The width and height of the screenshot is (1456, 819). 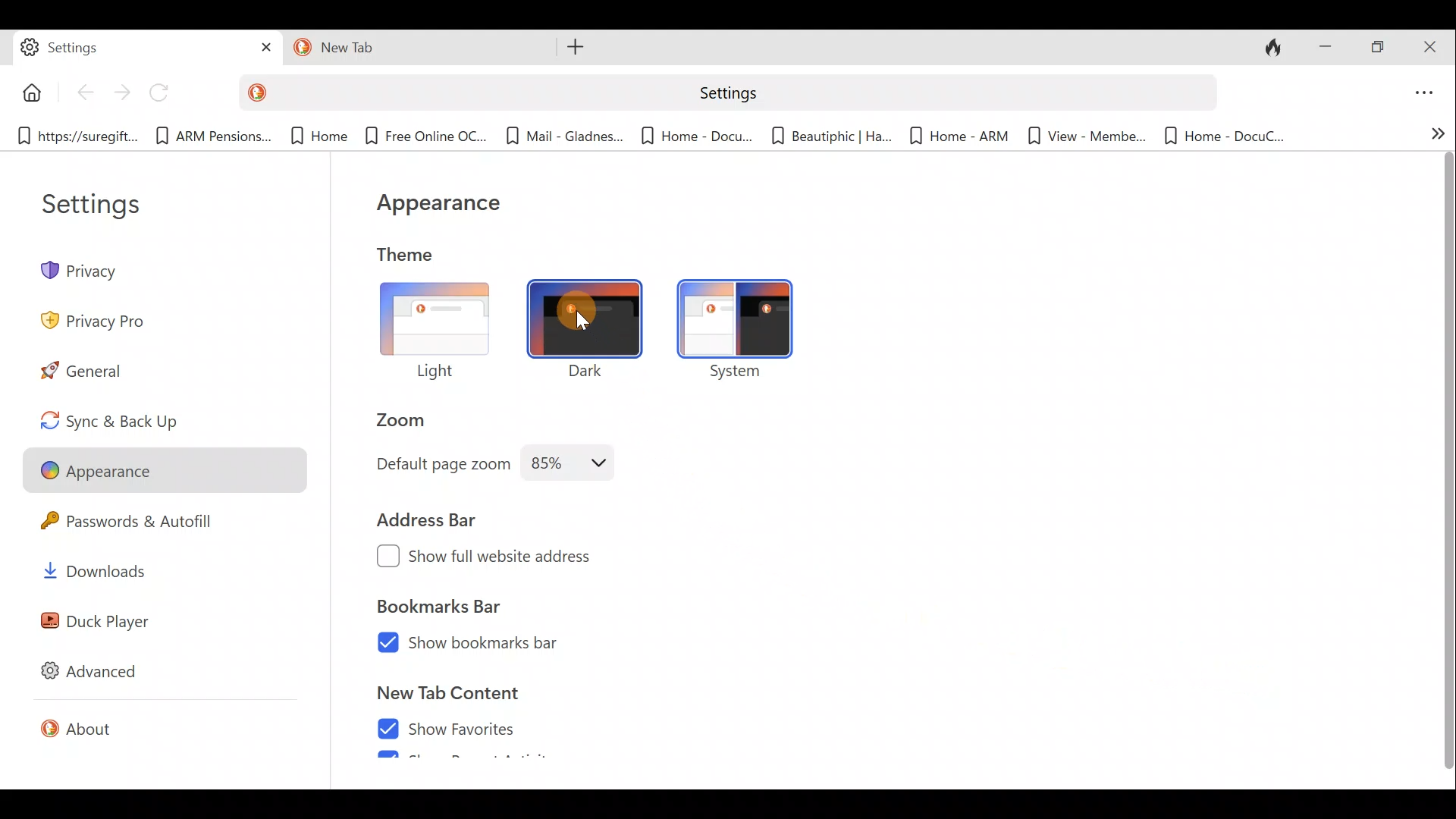 What do you see at coordinates (472, 693) in the screenshot?
I see `New tab content` at bounding box center [472, 693].